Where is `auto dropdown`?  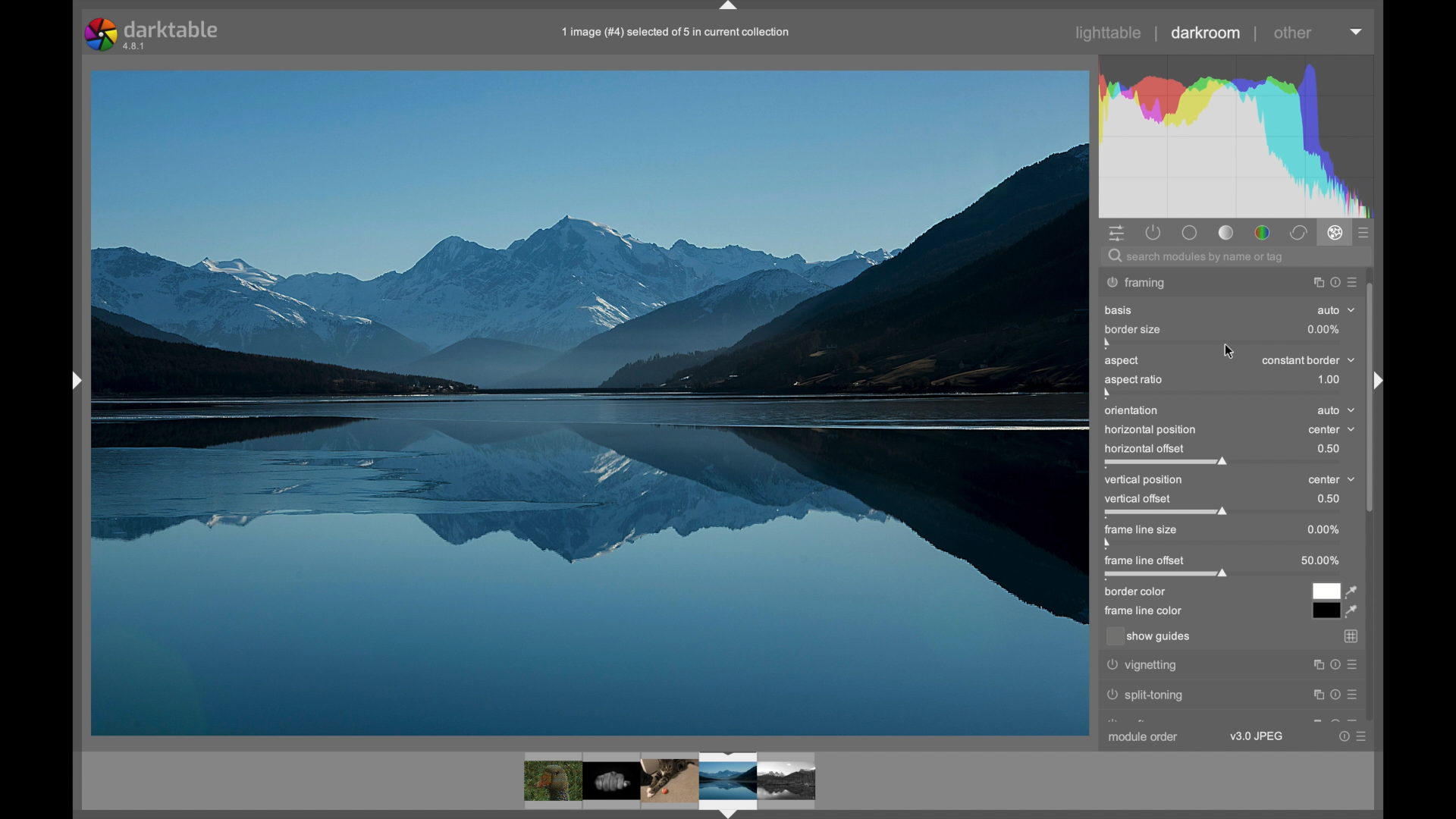
auto dropdown is located at coordinates (1337, 312).